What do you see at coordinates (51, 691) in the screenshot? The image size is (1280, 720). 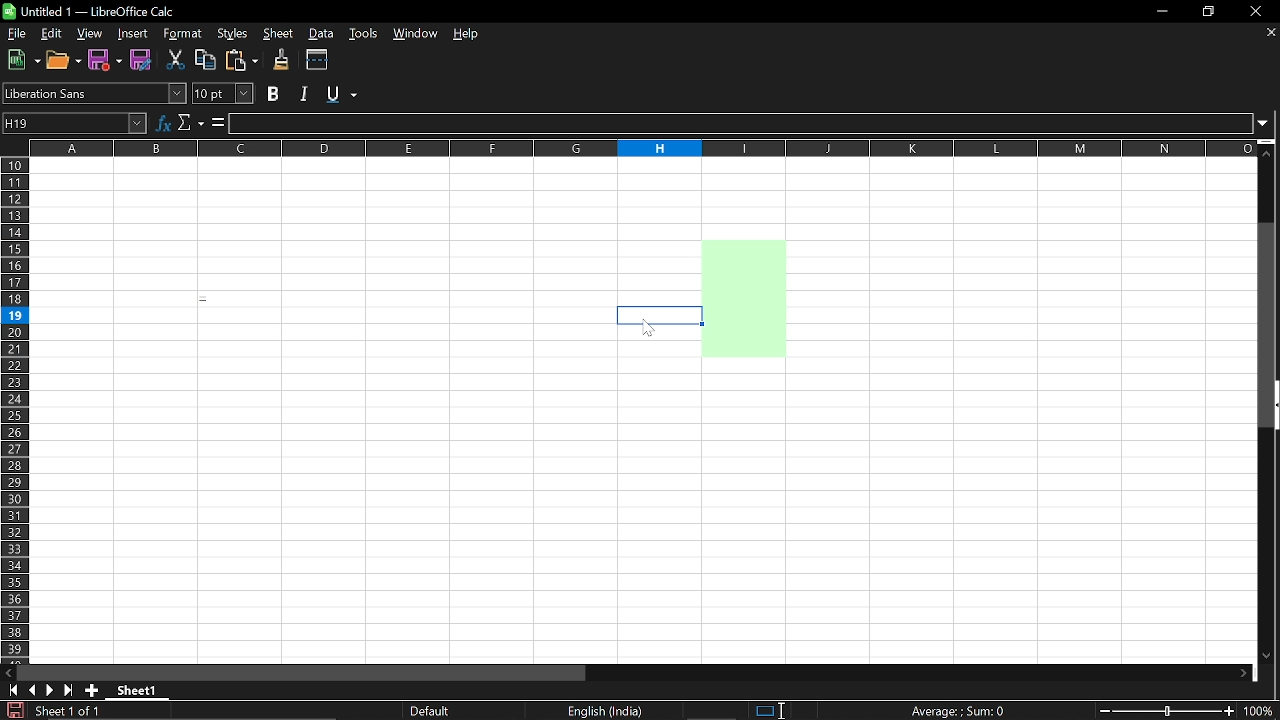 I see `Next page` at bounding box center [51, 691].